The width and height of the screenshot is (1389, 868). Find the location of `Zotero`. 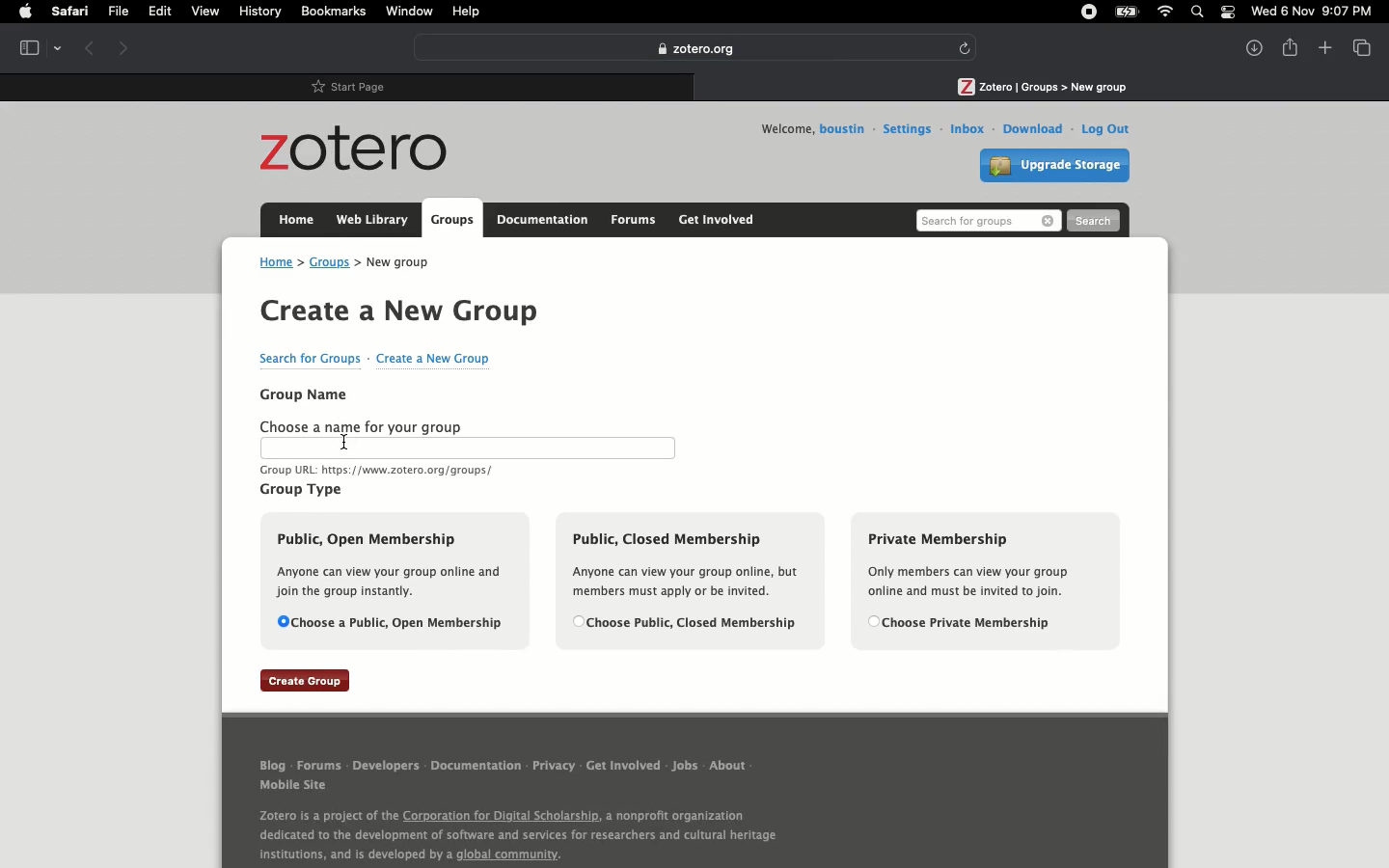

Zotero is located at coordinates (694, 48).